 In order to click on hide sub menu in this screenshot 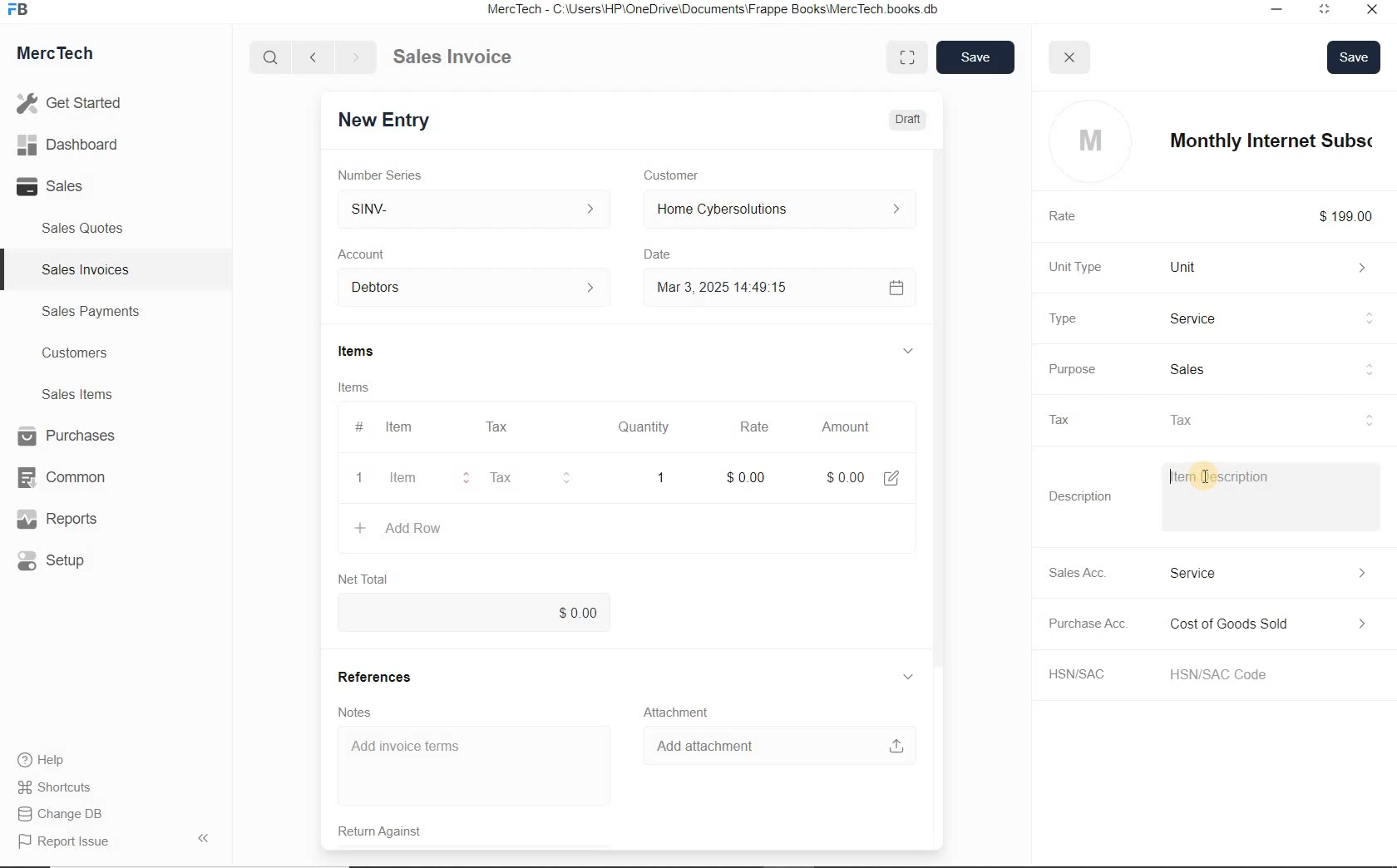, I will do `click(907, 352)`.